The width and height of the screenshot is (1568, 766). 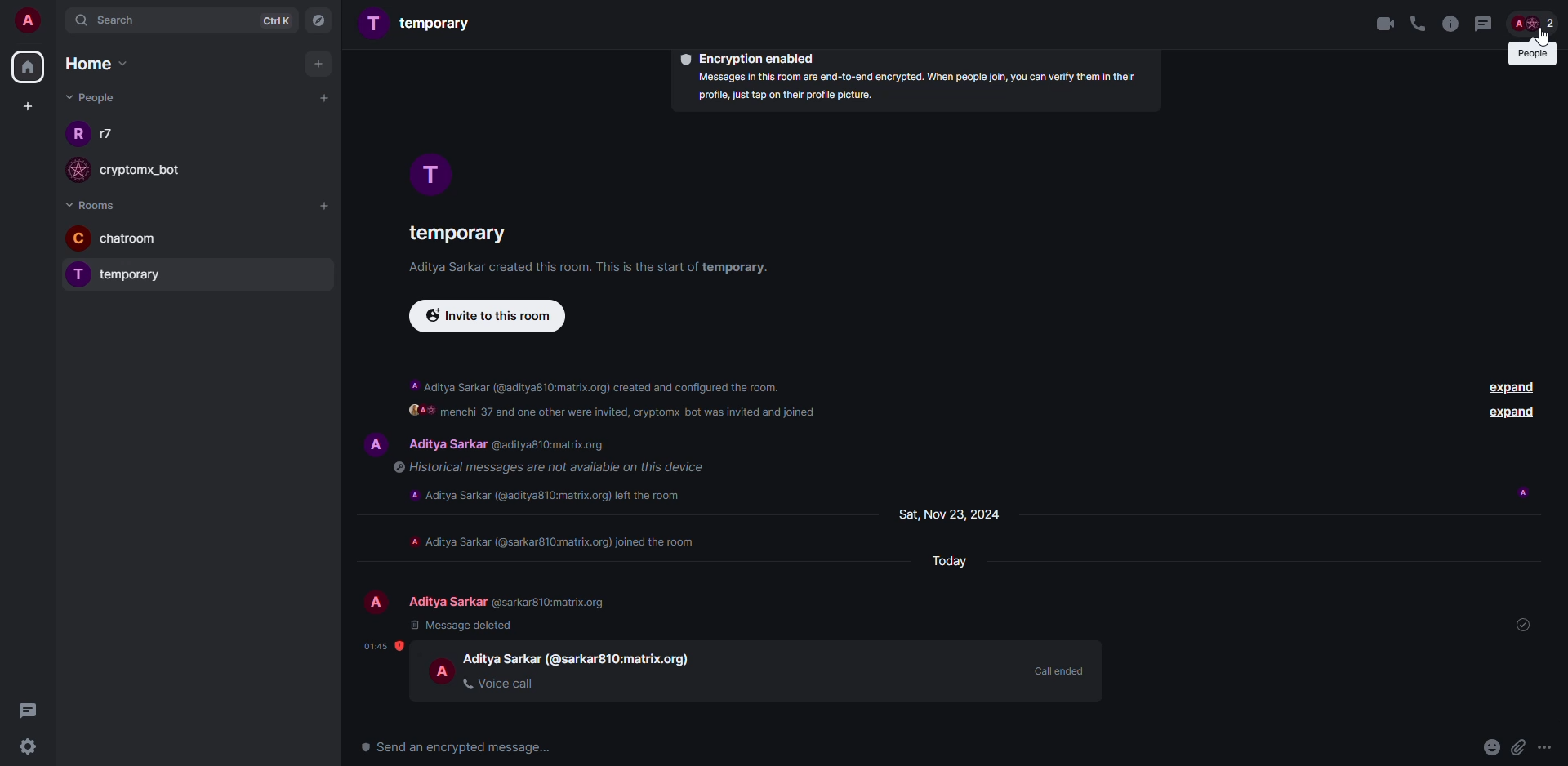 What do you see at coordinates (1531, 54) in the screenshot?
I see `people` at bounding box center [1531, 54].